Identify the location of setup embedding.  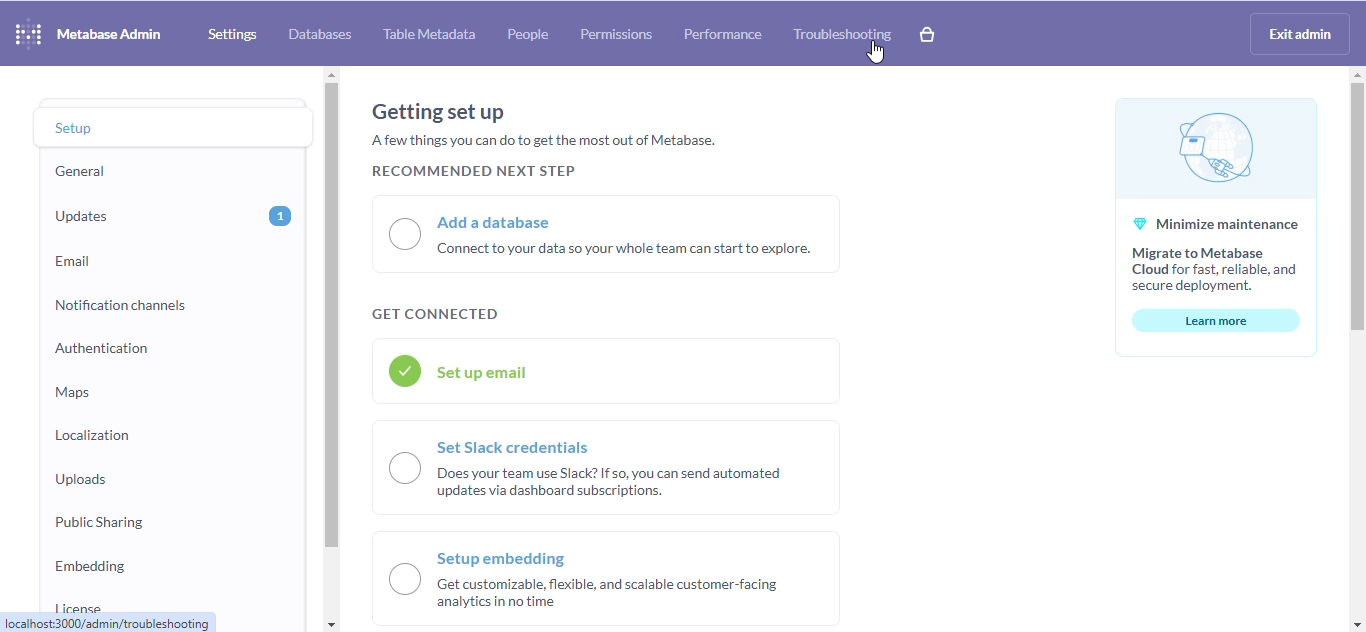
(609, 578).